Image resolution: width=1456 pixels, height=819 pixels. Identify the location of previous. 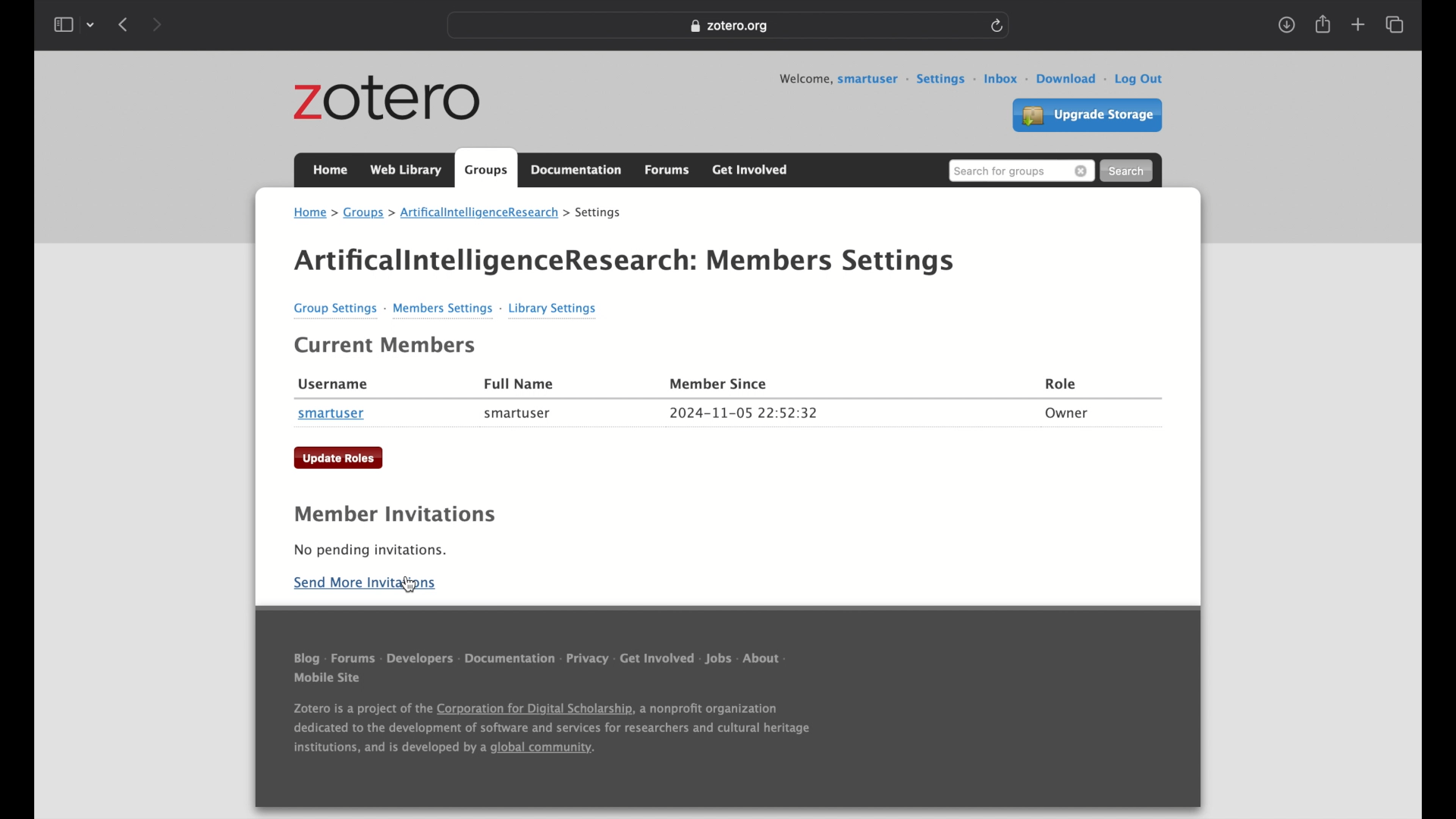
(123, 26).